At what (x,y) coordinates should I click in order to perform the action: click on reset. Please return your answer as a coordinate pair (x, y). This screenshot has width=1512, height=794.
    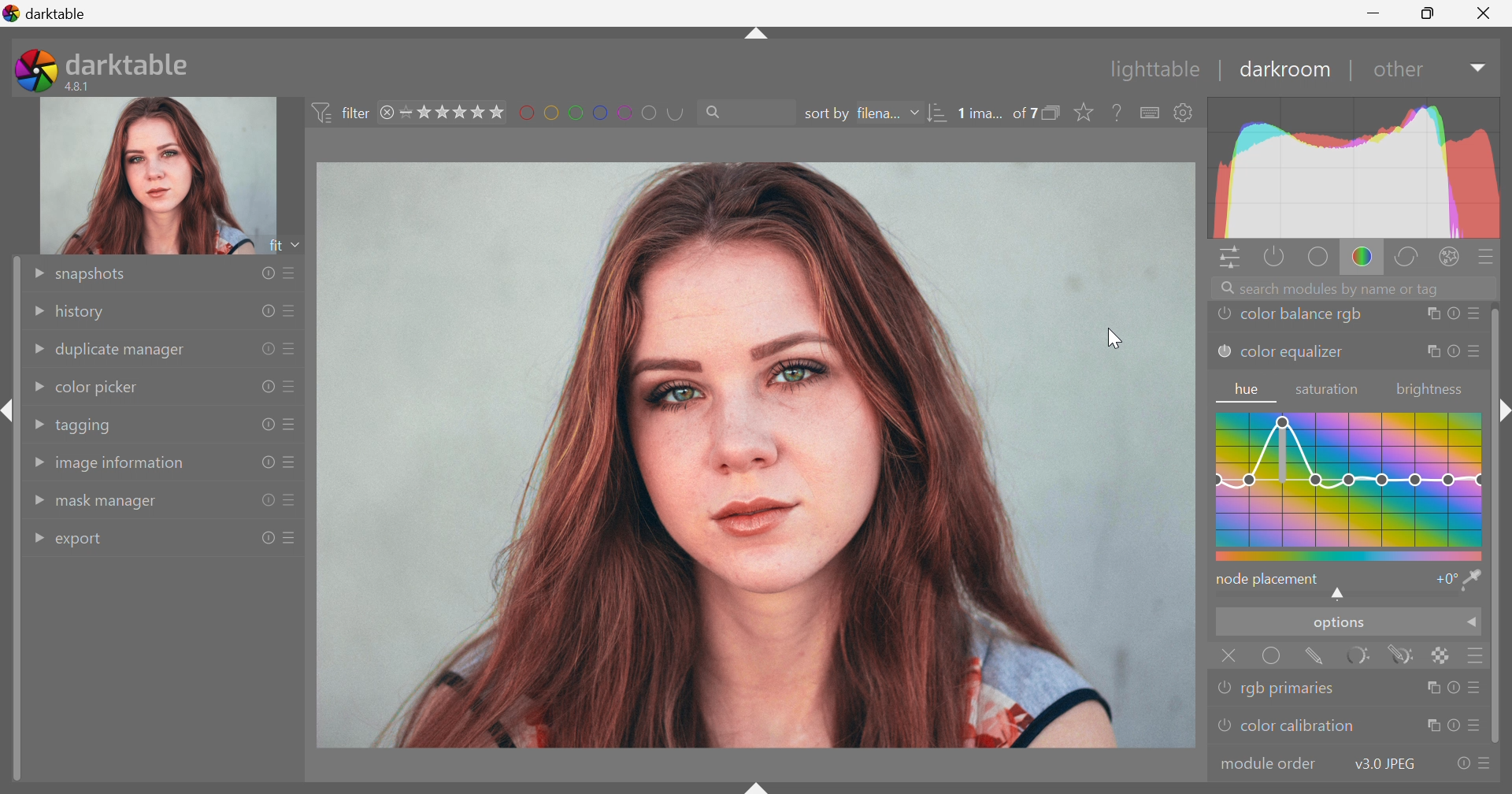
    Looking at the image, I should click on (1452, 352).